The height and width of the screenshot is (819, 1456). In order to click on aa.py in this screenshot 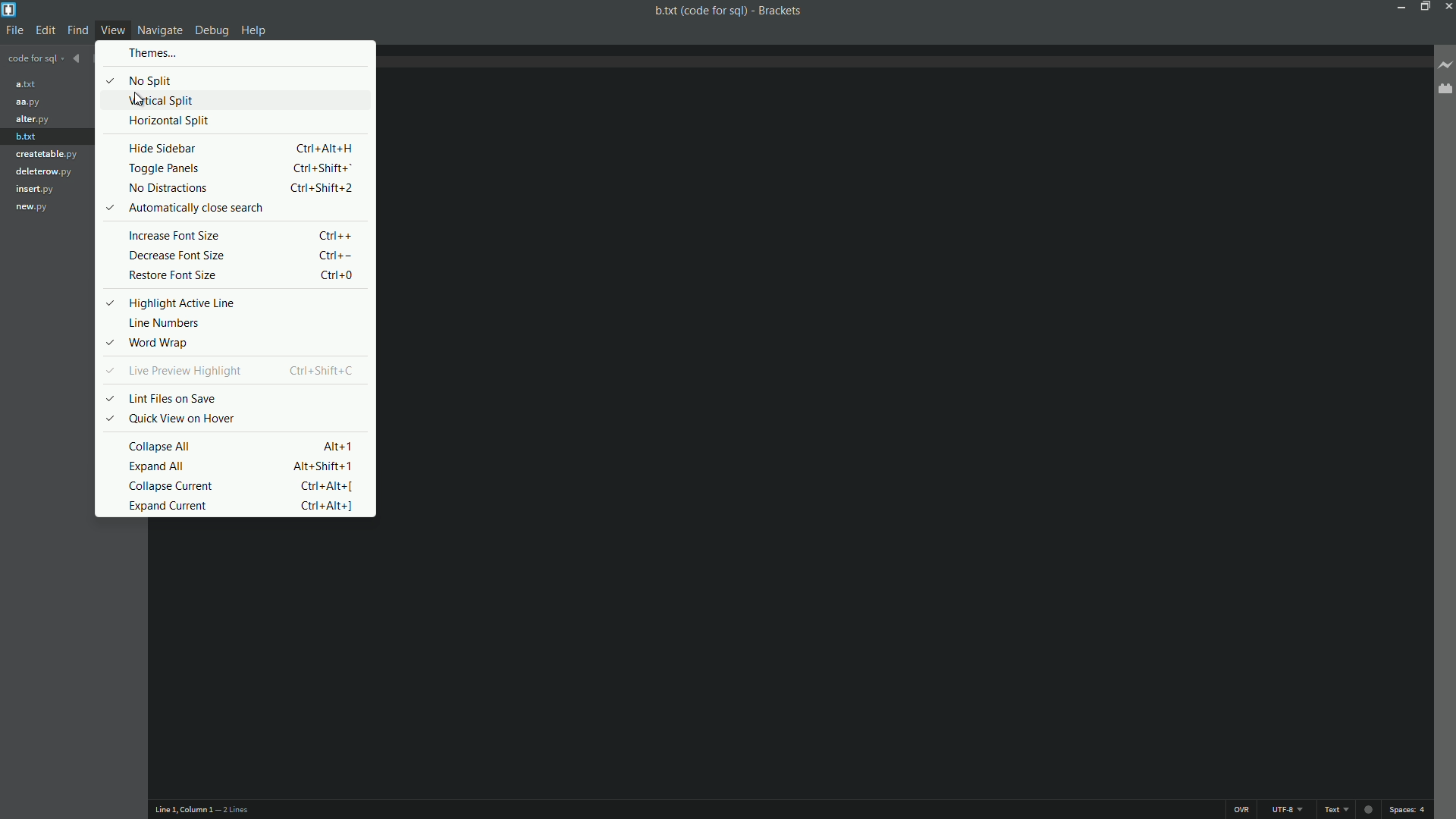, I will do `click(28, 102)`.